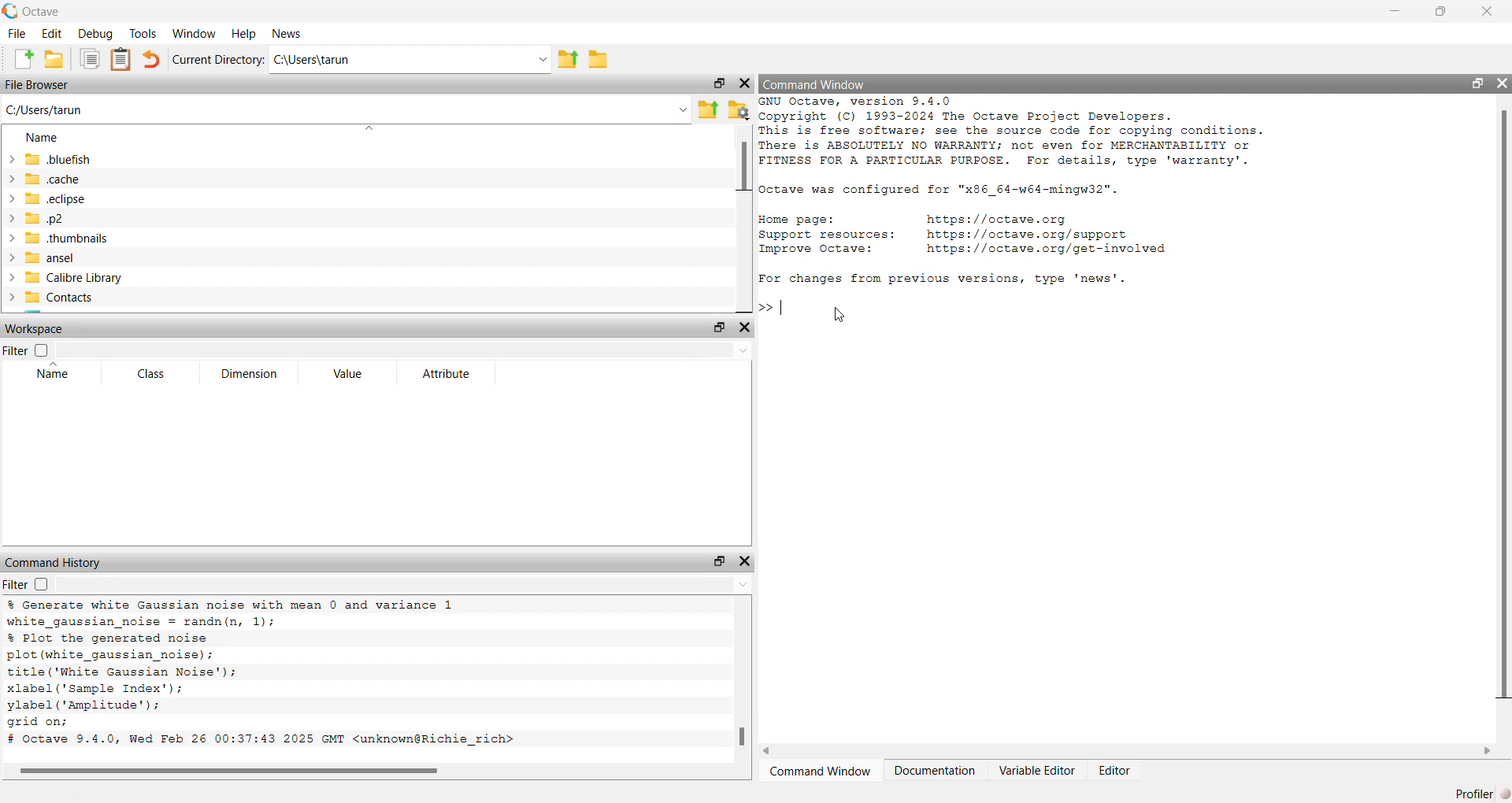 The image size is (1512, 803). Describe the element at coordinates (191, 33) in the screenshot. I see `‘Window` at that location.